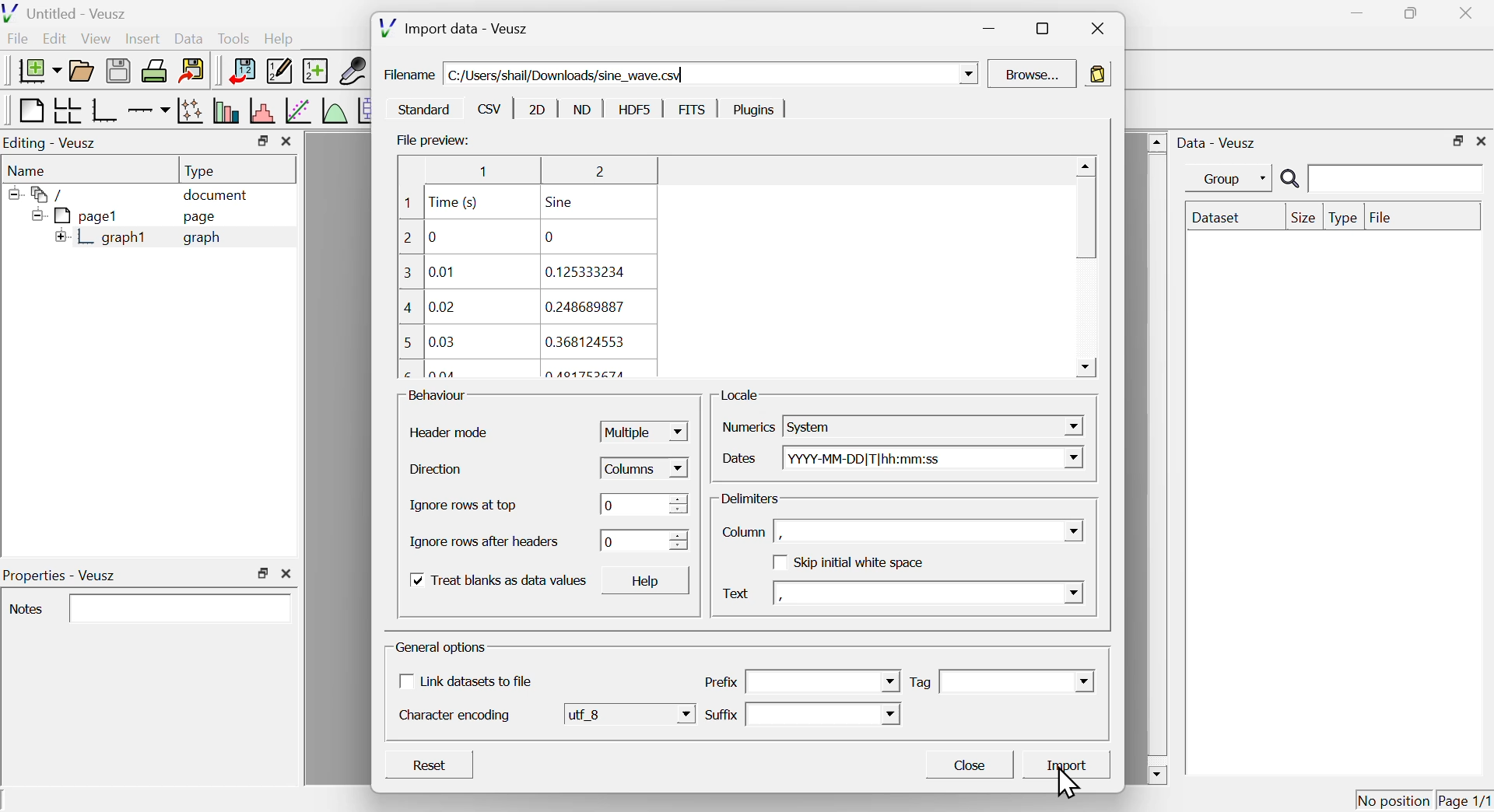 This screenshot has height=812, width=1494. I want to click on create new data sets using ranges, so click(315, 69).